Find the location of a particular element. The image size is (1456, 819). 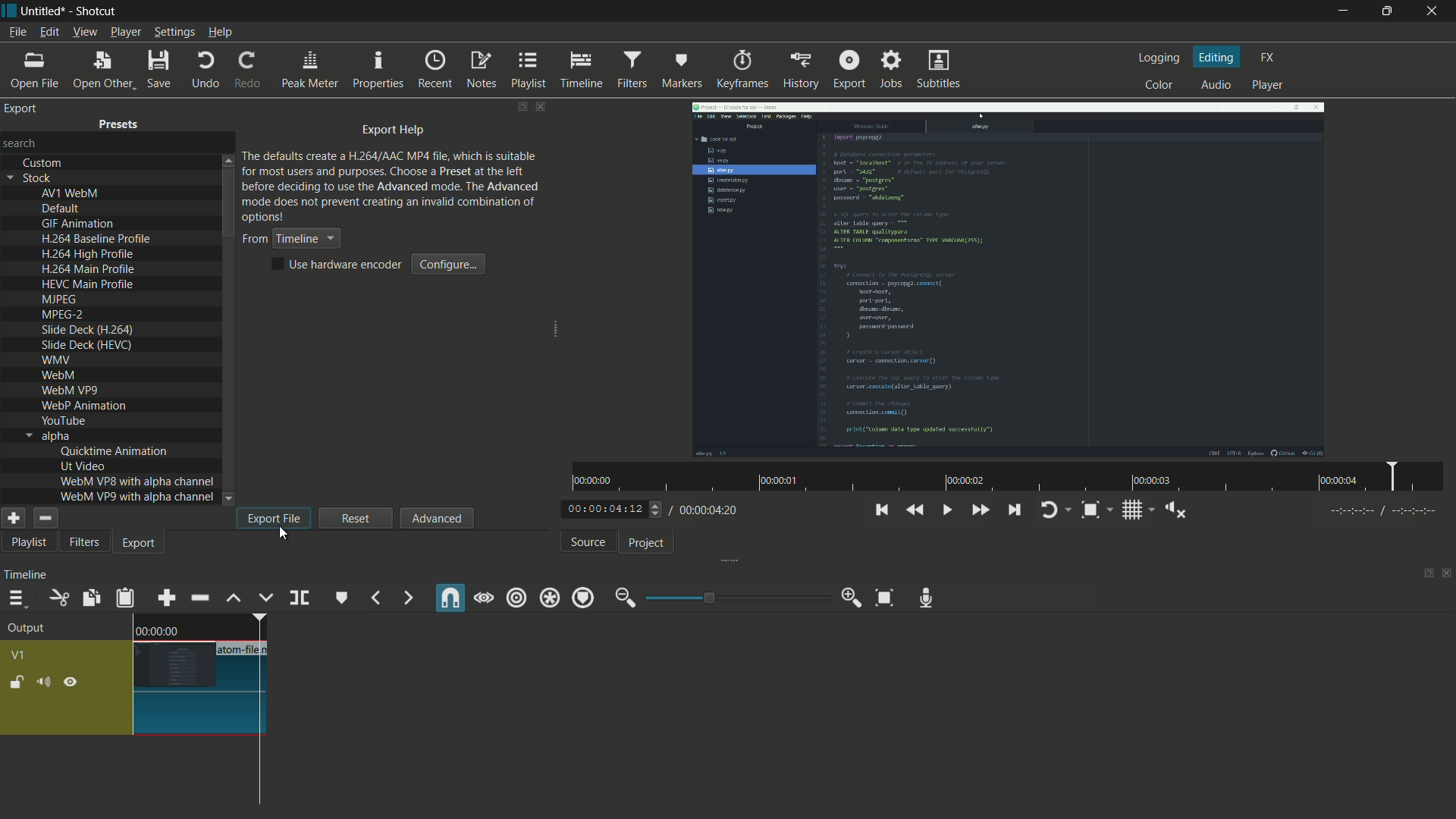

scrub while dragging is located at coordinates (485, 599).